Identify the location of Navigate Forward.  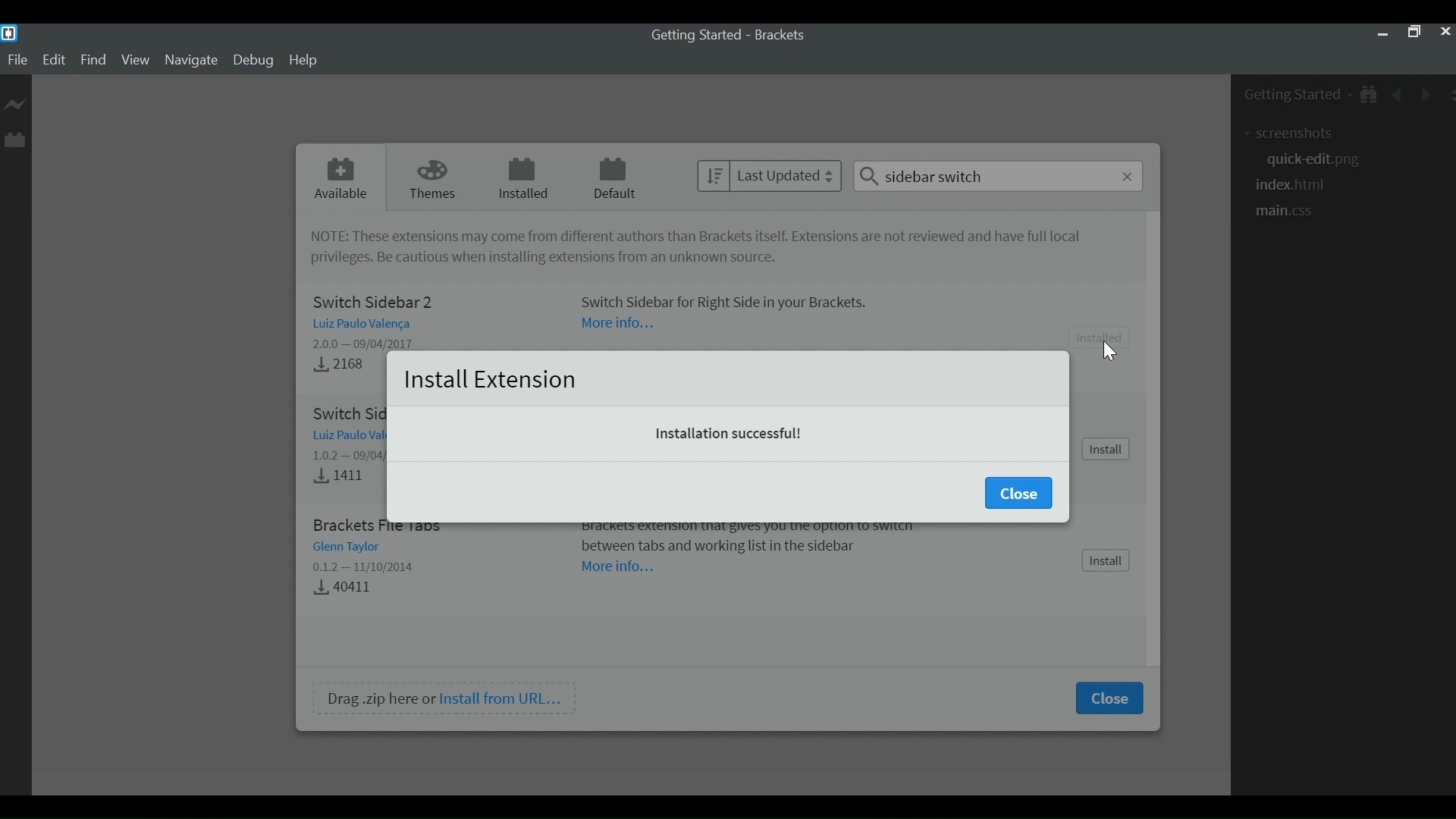
(1423, 93).